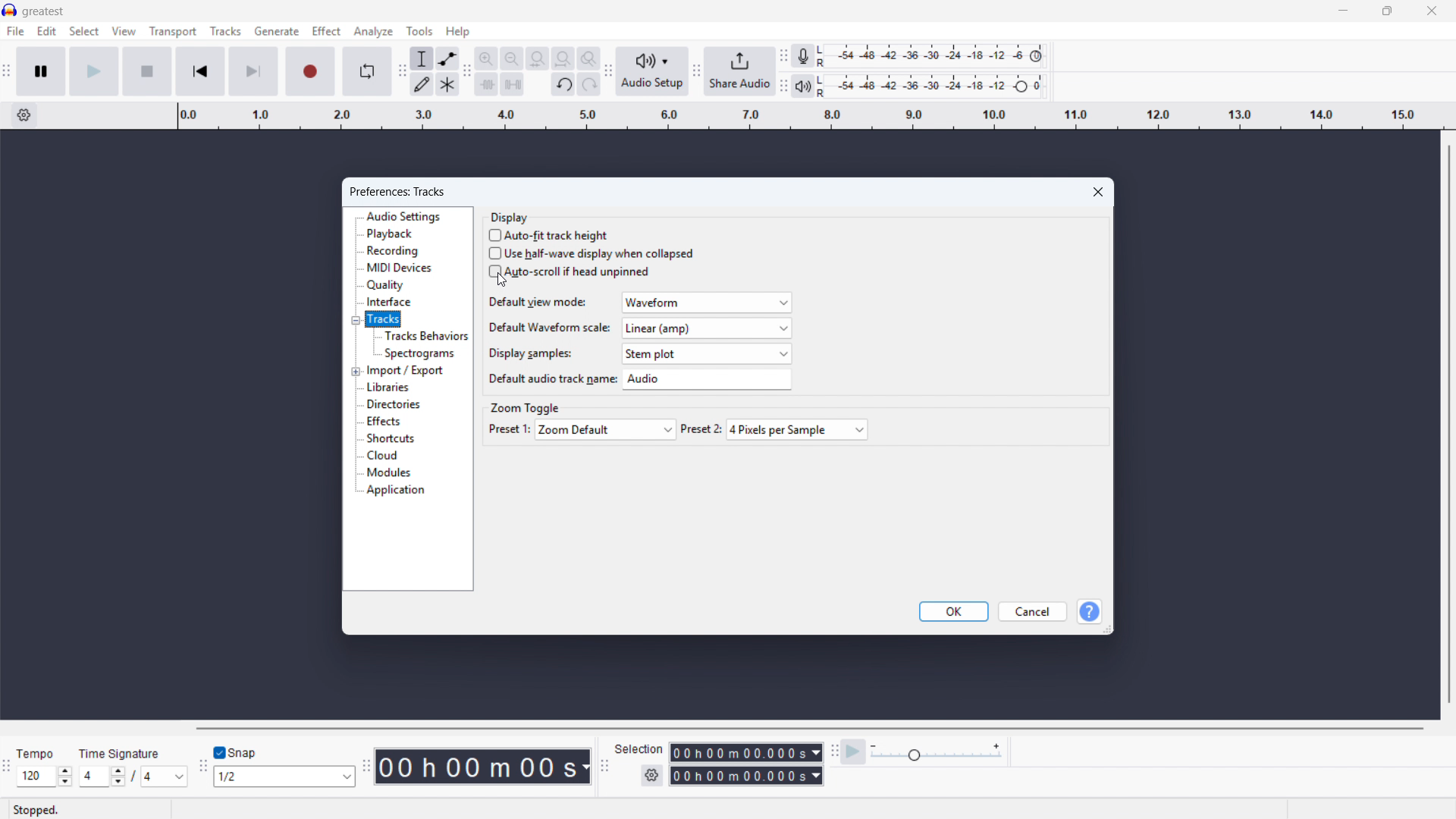 The image size is (1456, 819). I want to click on Tracks , so click(384, 319).